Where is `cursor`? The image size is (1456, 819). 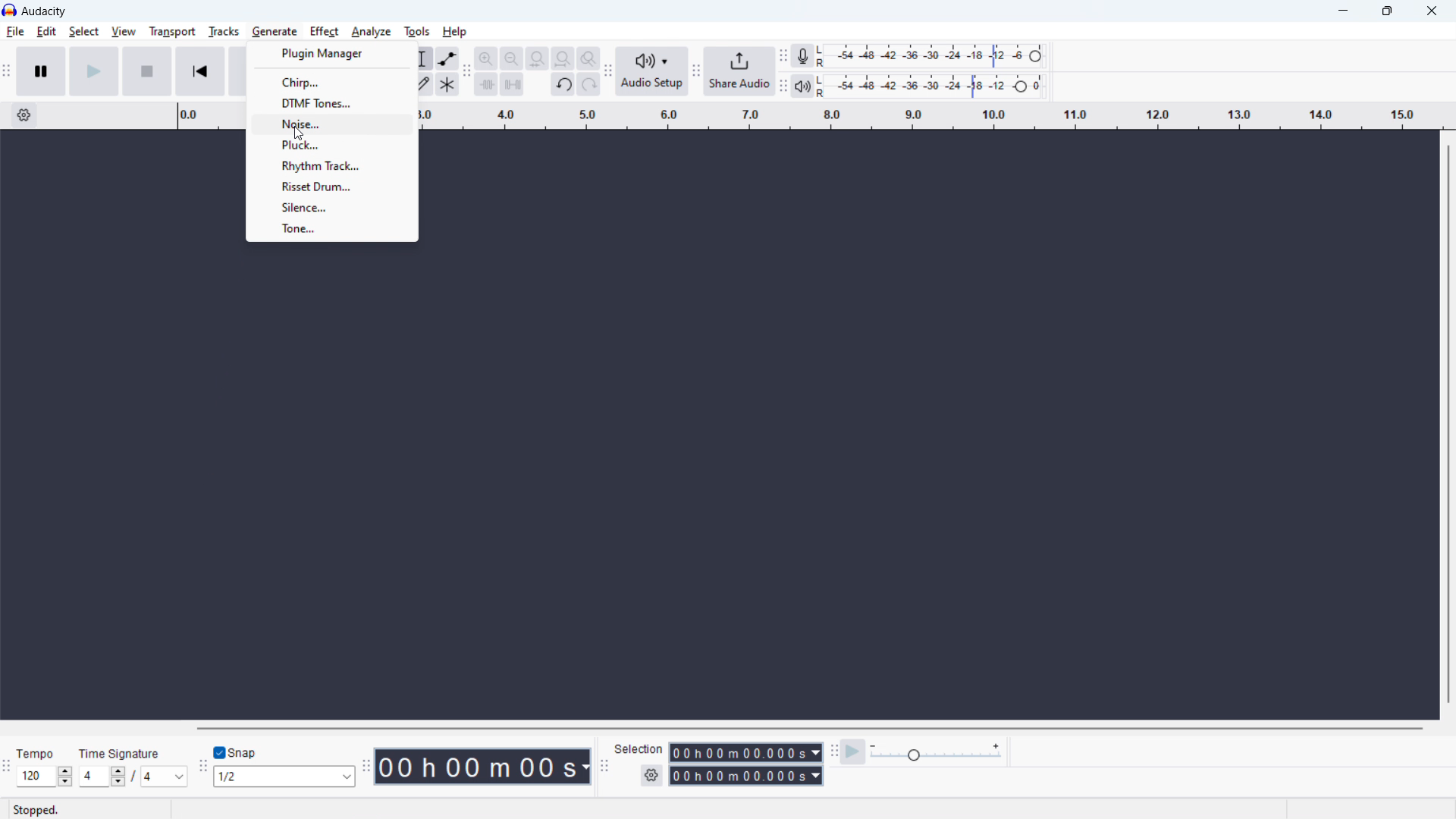
cursor is located at coordinates (300, 135).